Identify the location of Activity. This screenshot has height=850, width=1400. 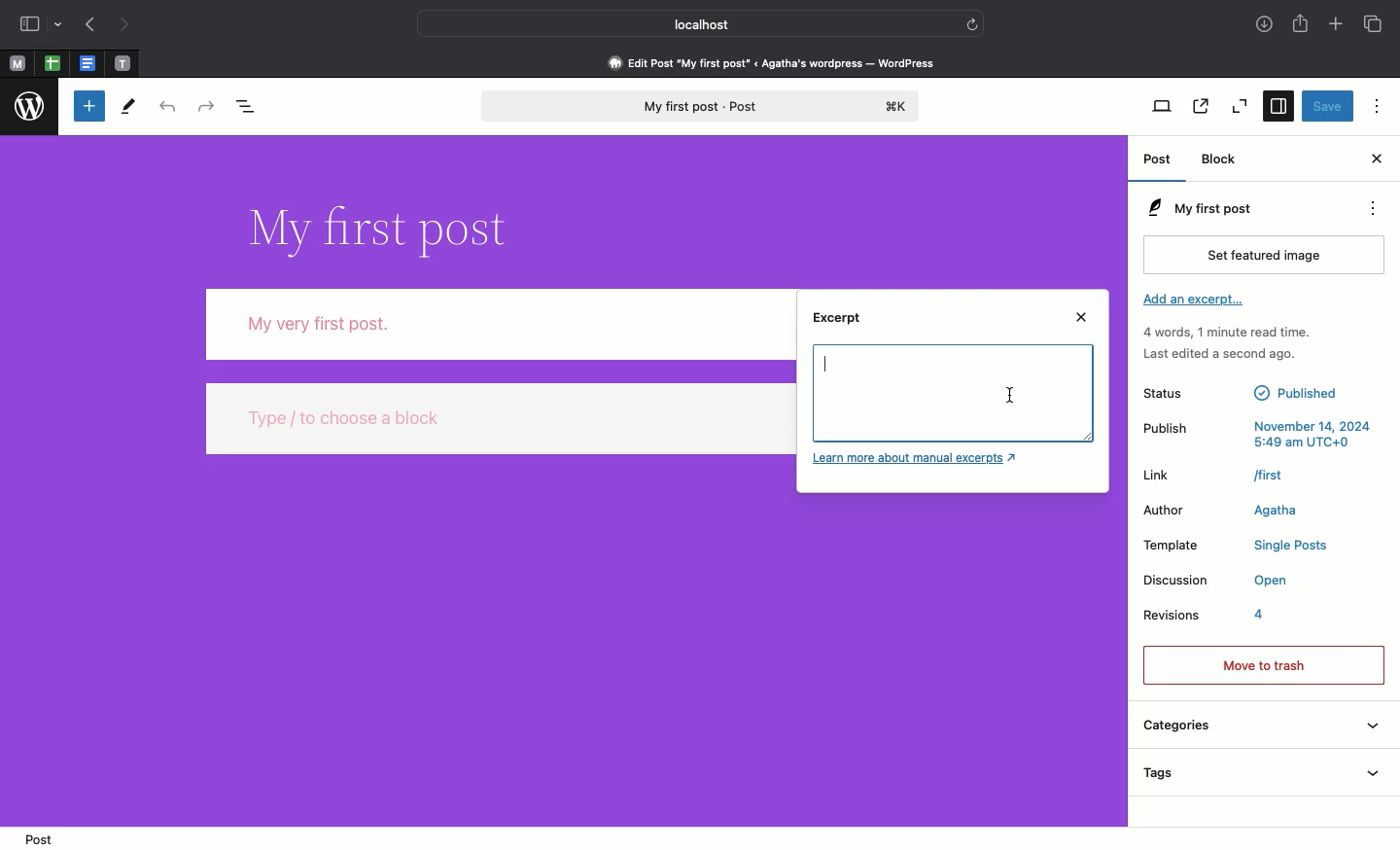
(1226, 343).